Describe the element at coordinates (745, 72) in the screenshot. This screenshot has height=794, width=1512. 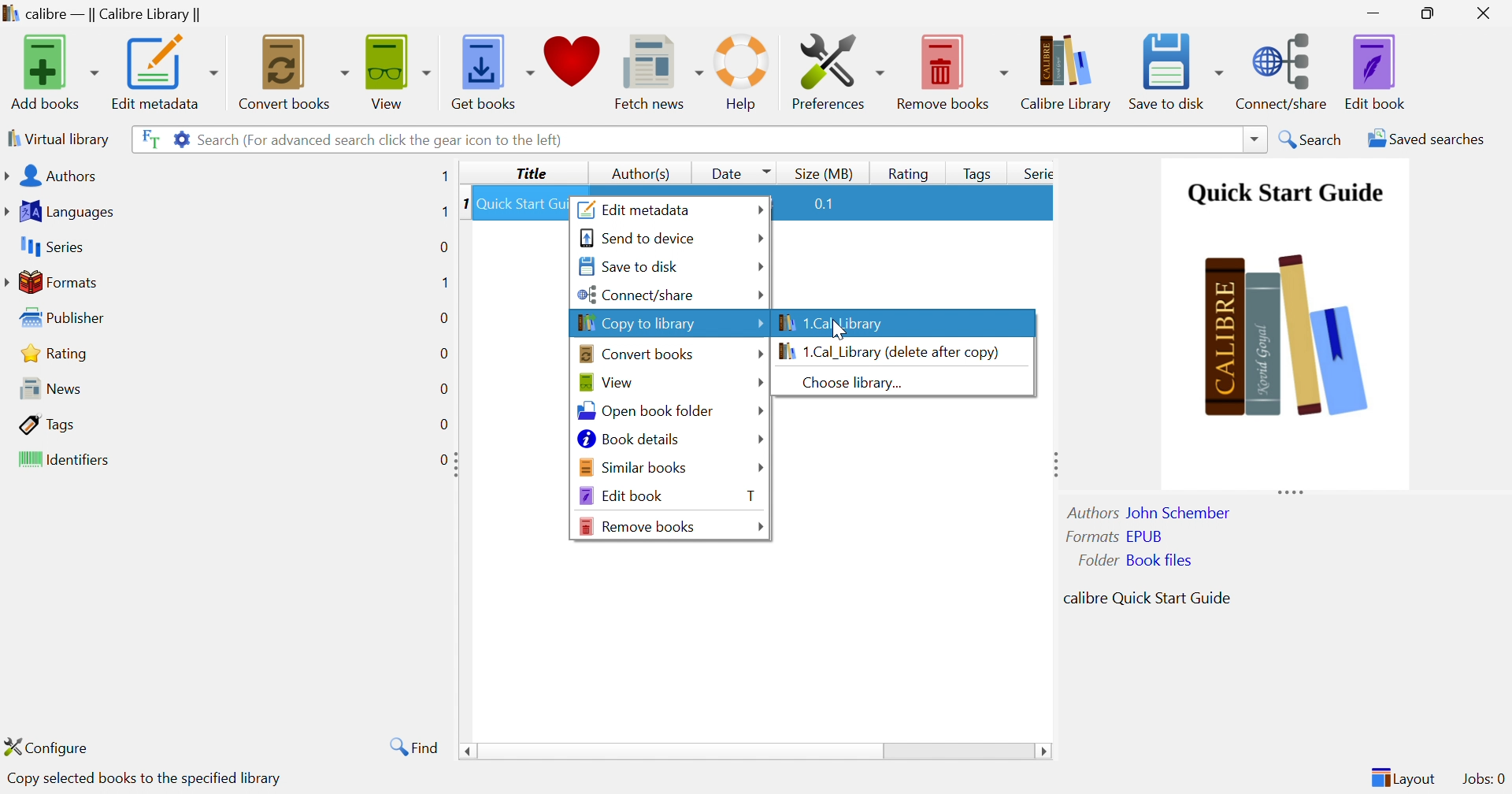
I see `Help` at that location.